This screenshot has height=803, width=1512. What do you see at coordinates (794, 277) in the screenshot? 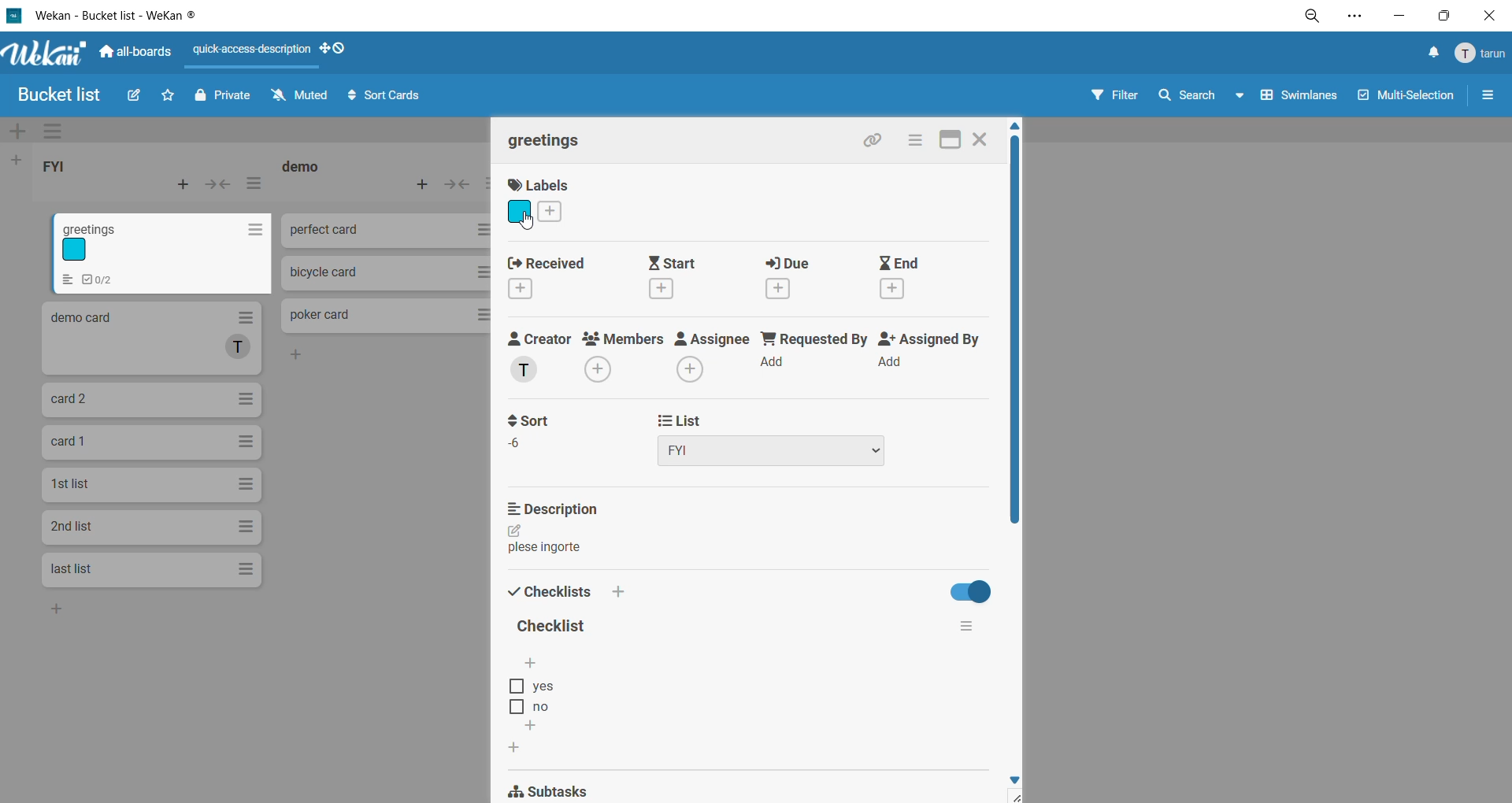
I see `due` at bounding box center [794, 277].